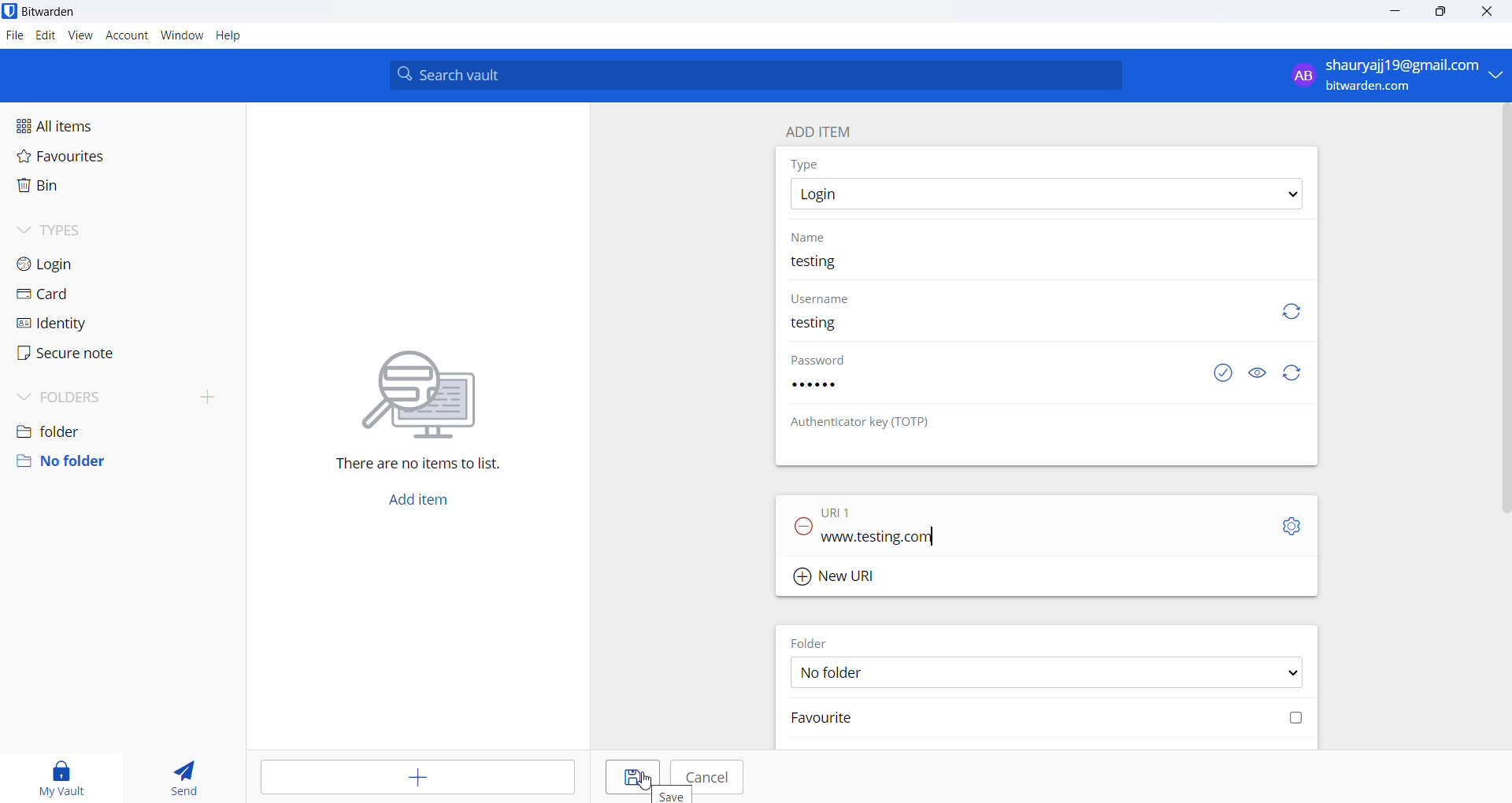 This screenshot has width=1512, height=803. I want to click on minimize, so click(1396, 12).